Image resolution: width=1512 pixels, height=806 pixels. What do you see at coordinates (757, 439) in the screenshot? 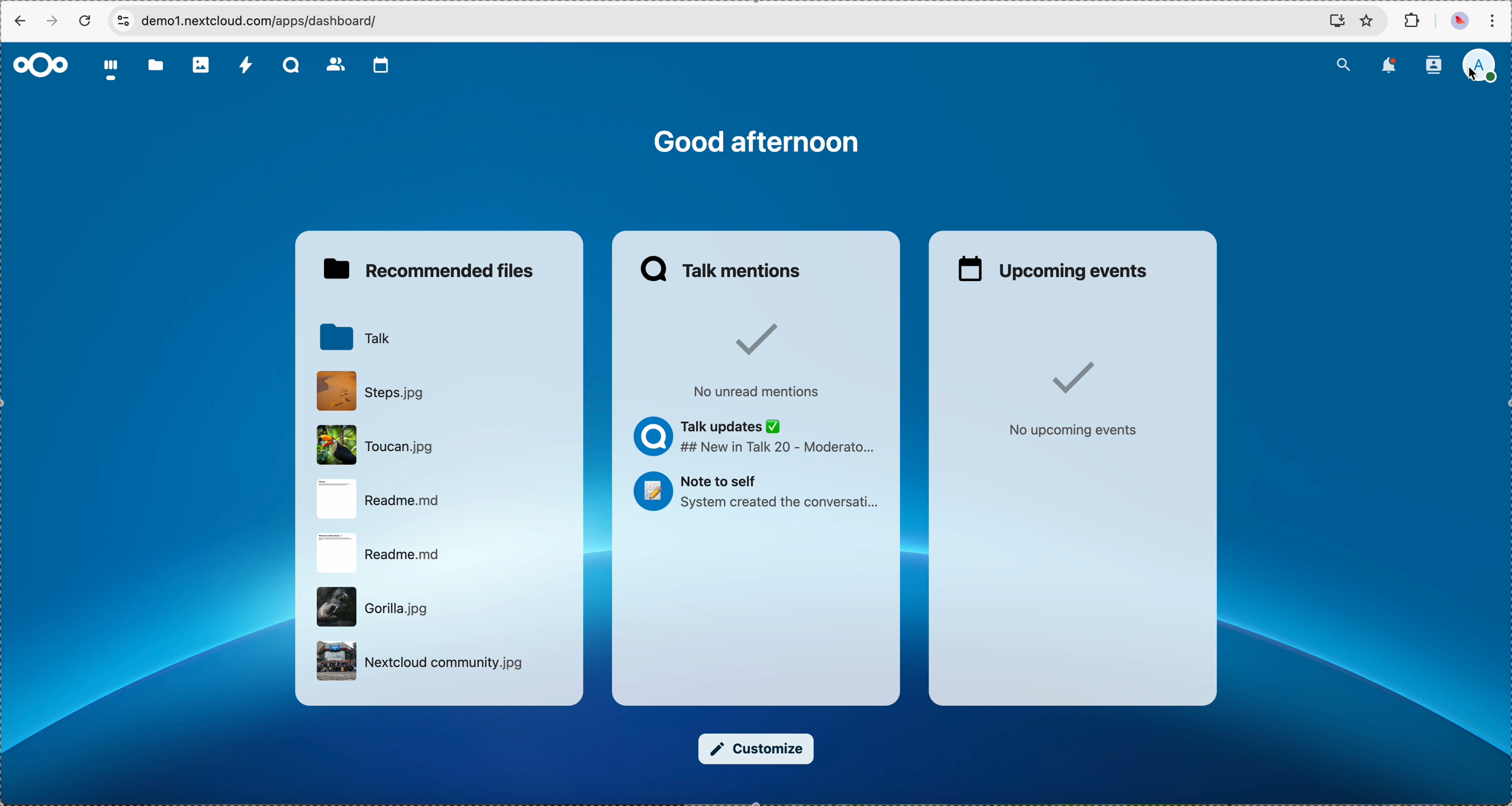
I see `Talk updates` at bounding box center [757, 439].